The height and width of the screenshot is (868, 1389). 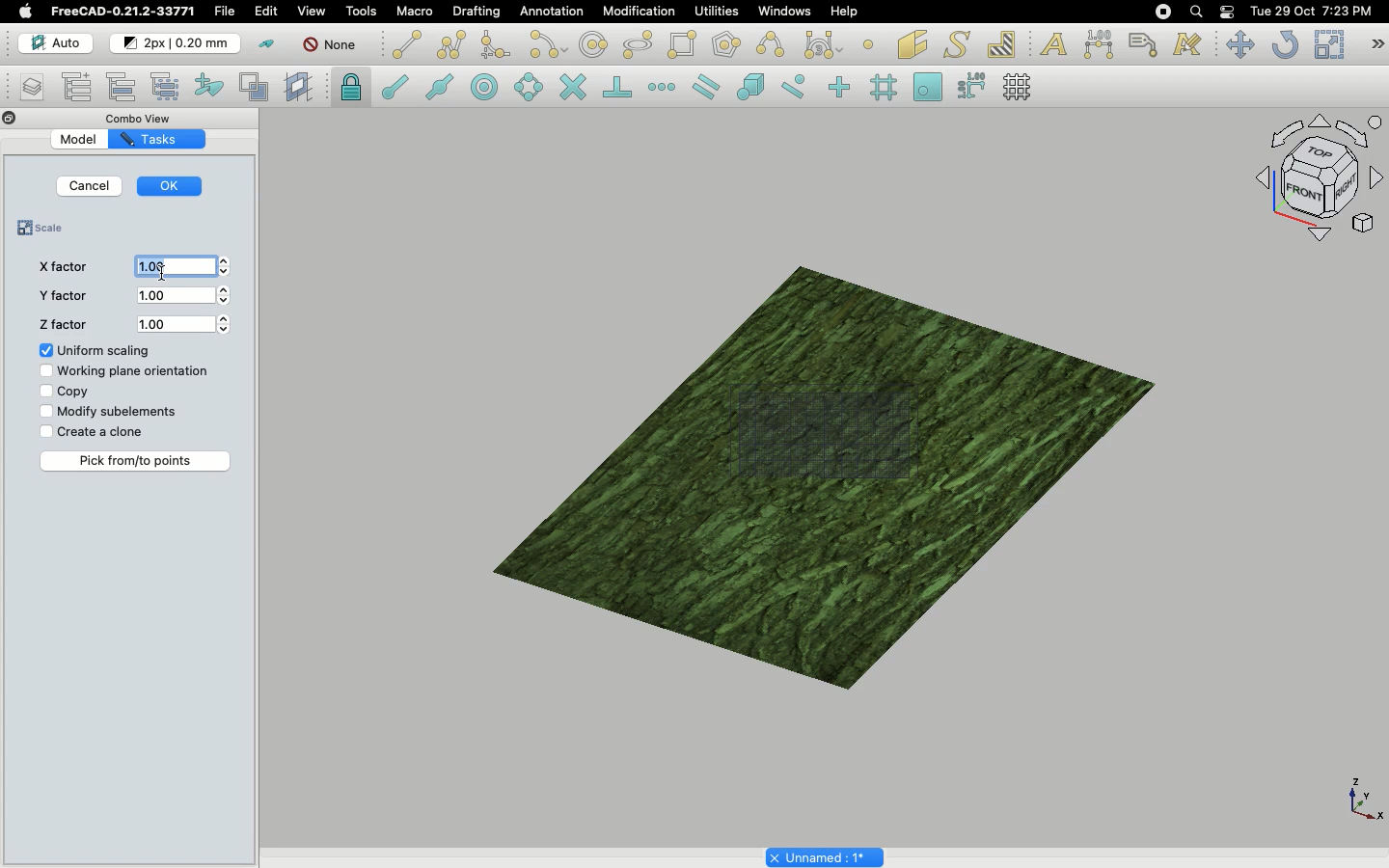 I want to click on Shape from text, so click(x=955, y=44).